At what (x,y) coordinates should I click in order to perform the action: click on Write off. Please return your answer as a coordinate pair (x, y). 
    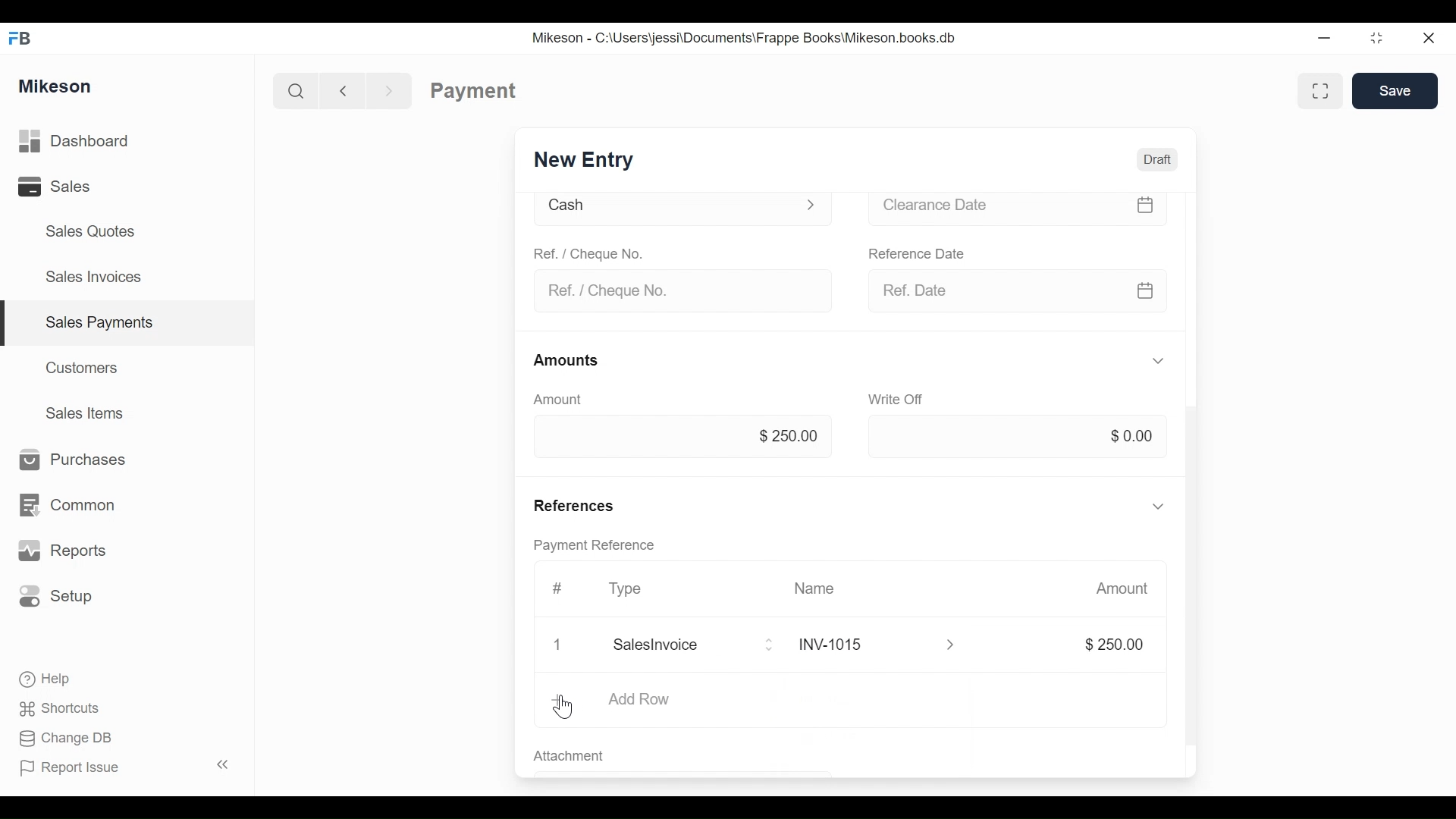
    Looking at the image, I should click on (898, 401).